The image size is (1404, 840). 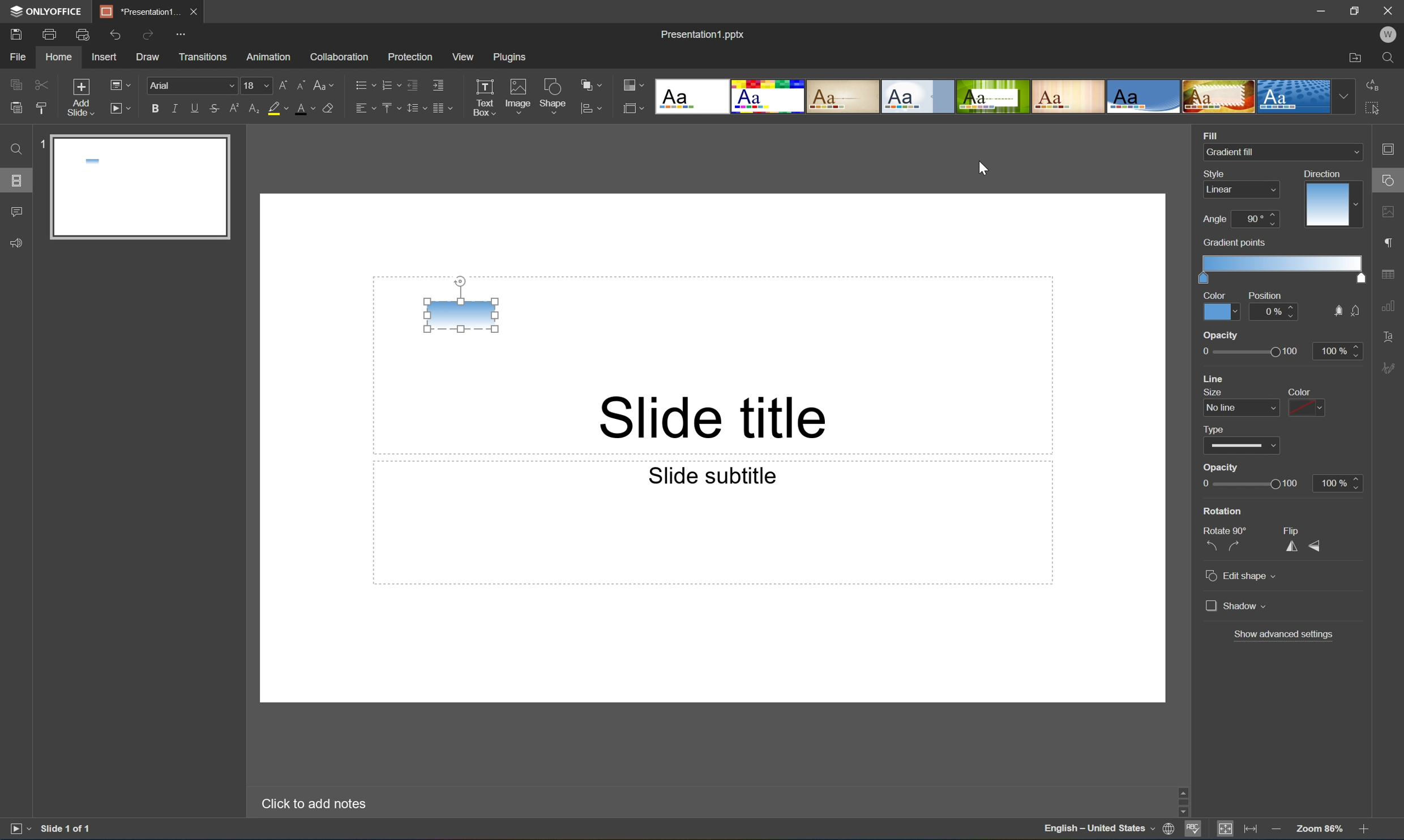 What do you see at coordinates (1216, 173) in the screenshot?
I see `Style` at bounding box center [1216, 173].